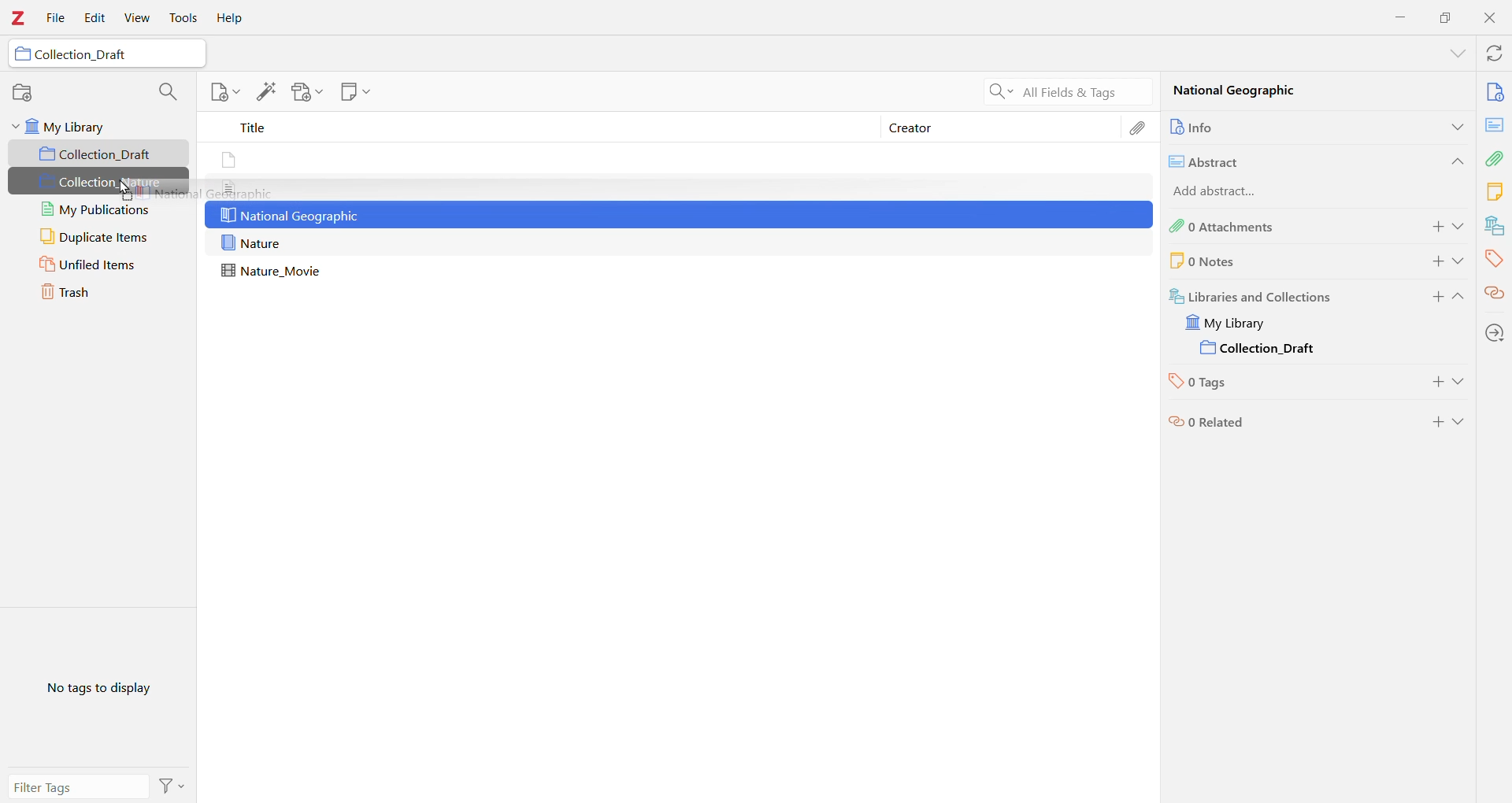 This screenshot has height=803, width=1512. What do you see at coordinates (98, 237) in the screenshot?
I see `Duplicate Items` at bounding box center [98, 237].